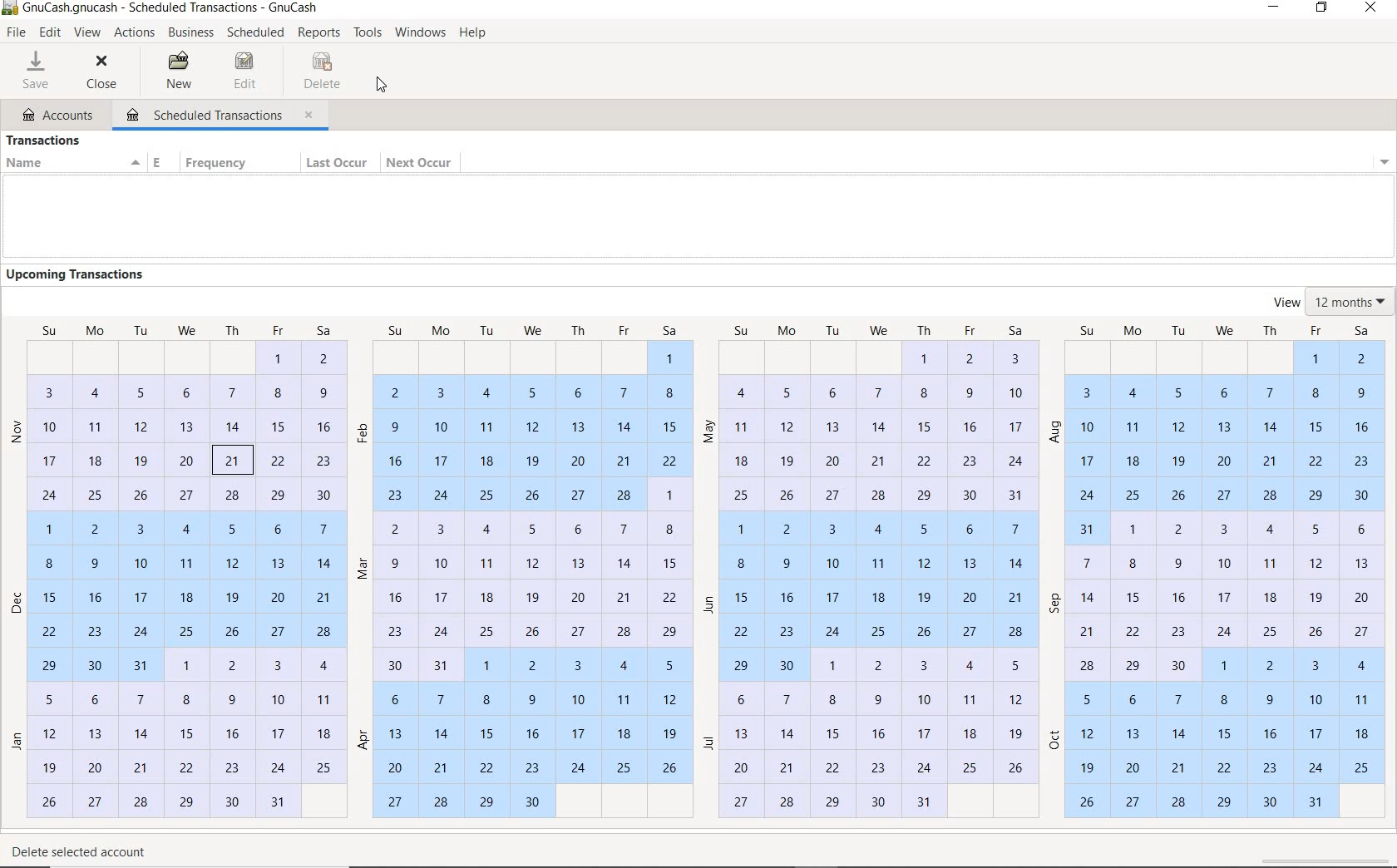 This screenshot has width=1397, height=868. What do you see at coordinates (190, 580) in the screenshot?
I see `dates` at bounding box center [190, 580].